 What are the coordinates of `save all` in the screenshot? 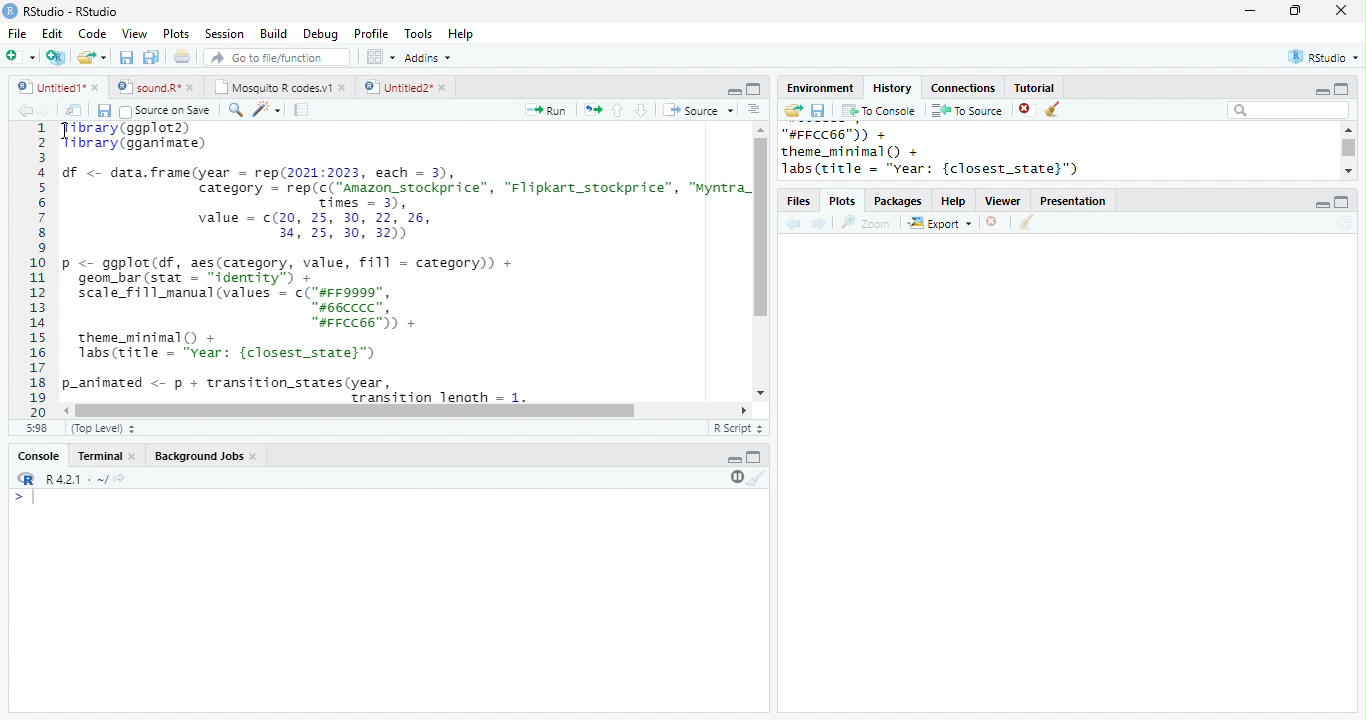 It's located at (151, 58).